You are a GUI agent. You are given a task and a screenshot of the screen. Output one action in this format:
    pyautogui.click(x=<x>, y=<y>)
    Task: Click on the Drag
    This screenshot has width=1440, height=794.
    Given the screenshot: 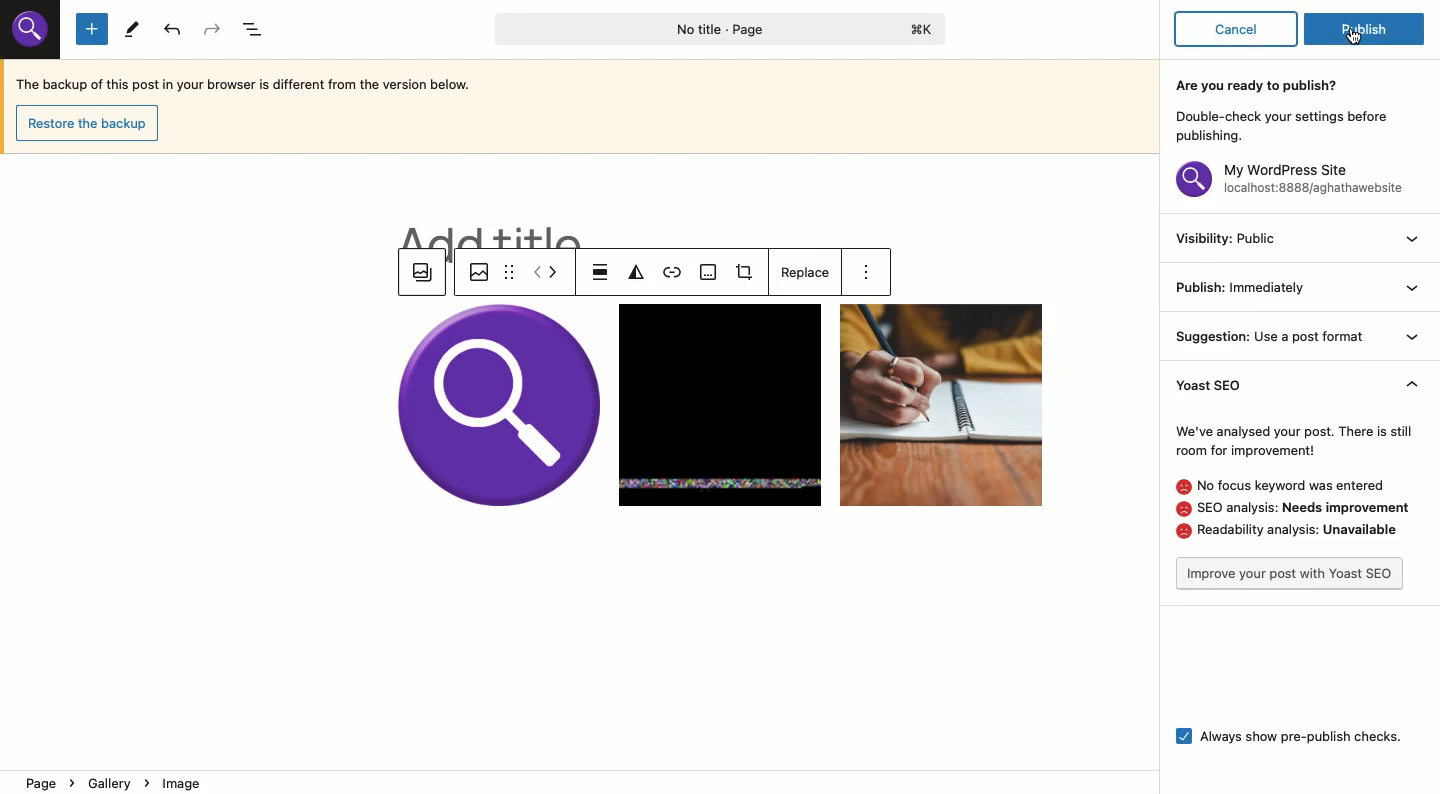 What is the action you would take?
    pyautogui.click(x=508, y=271)
    